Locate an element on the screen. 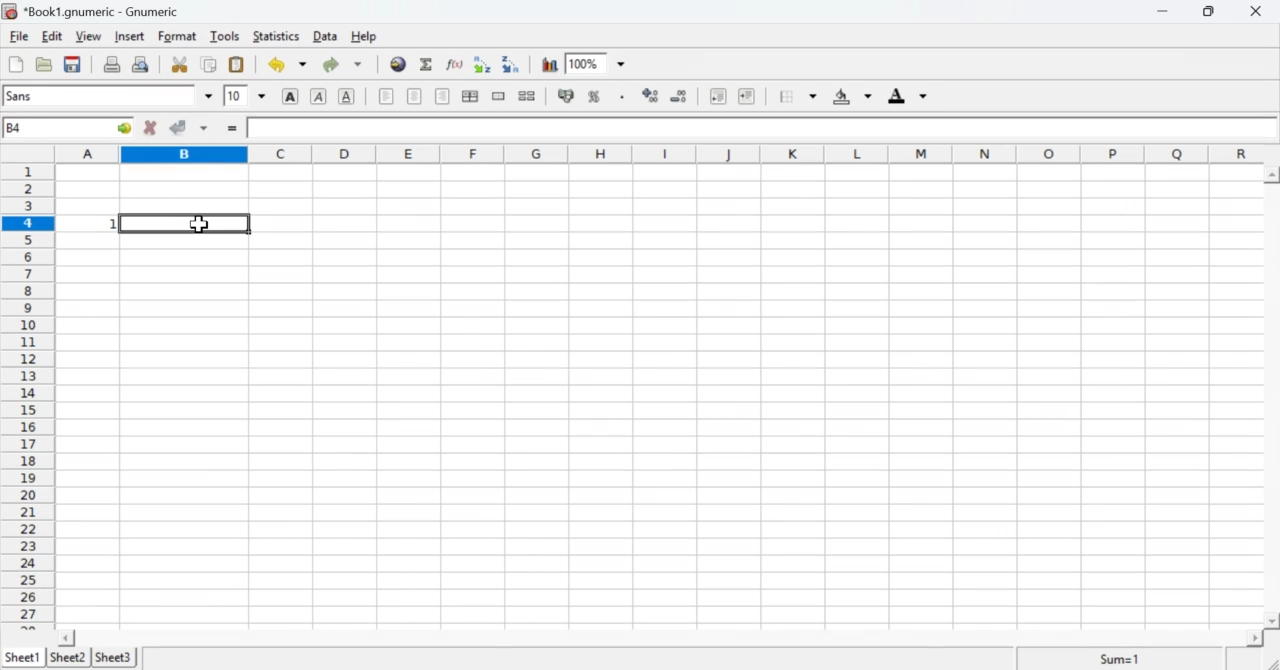 Image resolution: width=1280 pixels, height=670 pixels. numbering column is located at coordinates (26, 396).